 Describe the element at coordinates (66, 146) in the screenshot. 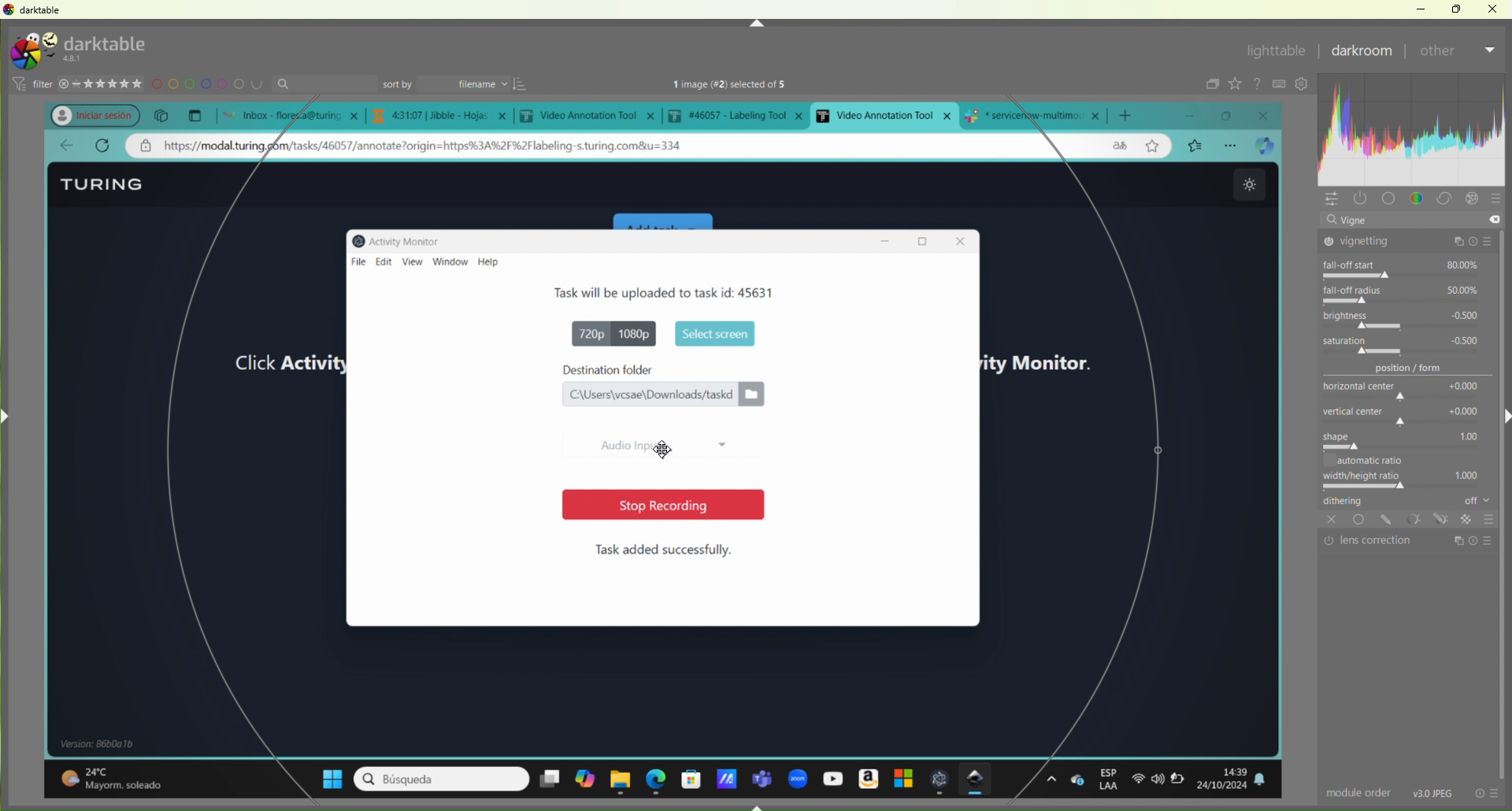

I see `go back` at that location.